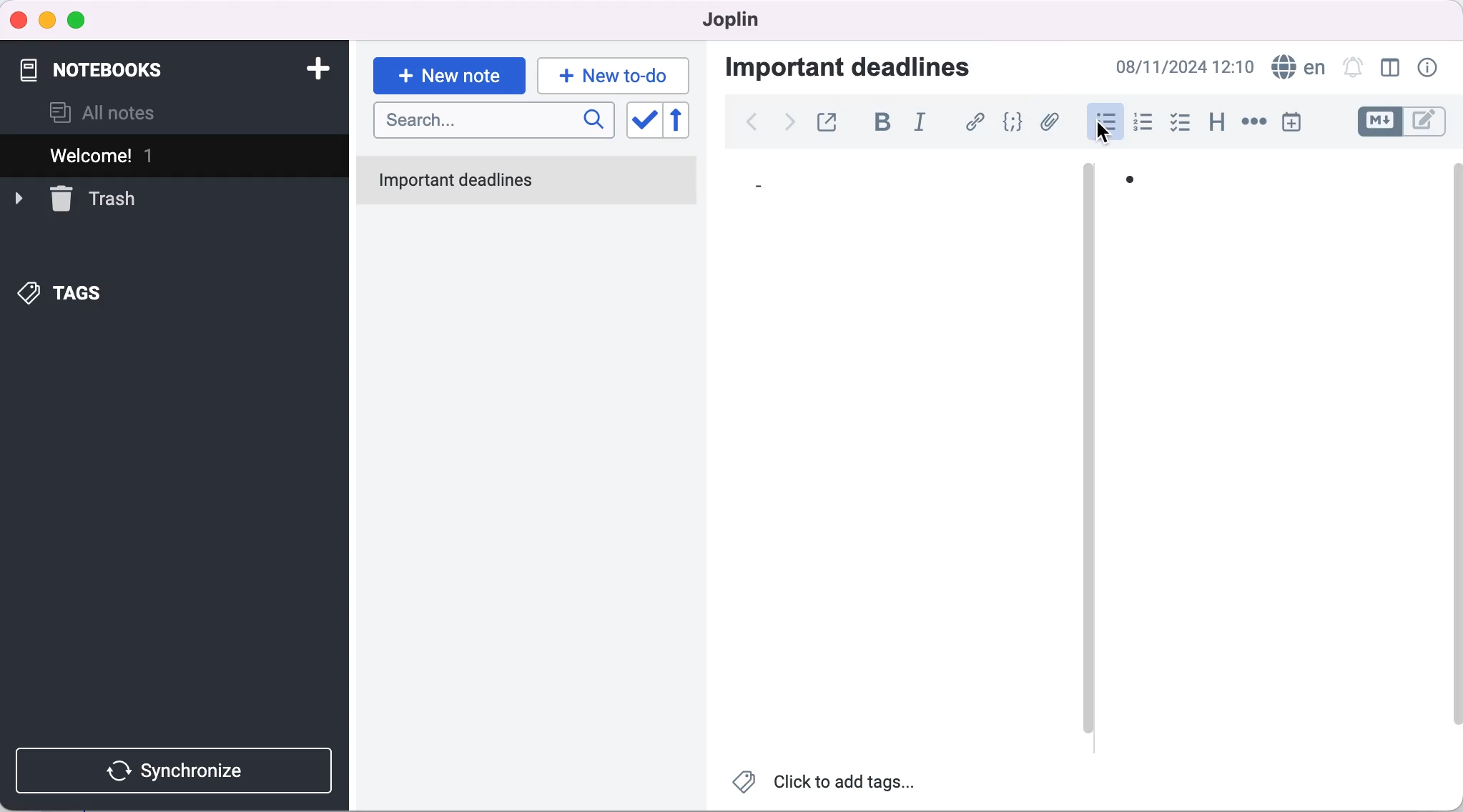  I want to click on forward, so click(789, 122).